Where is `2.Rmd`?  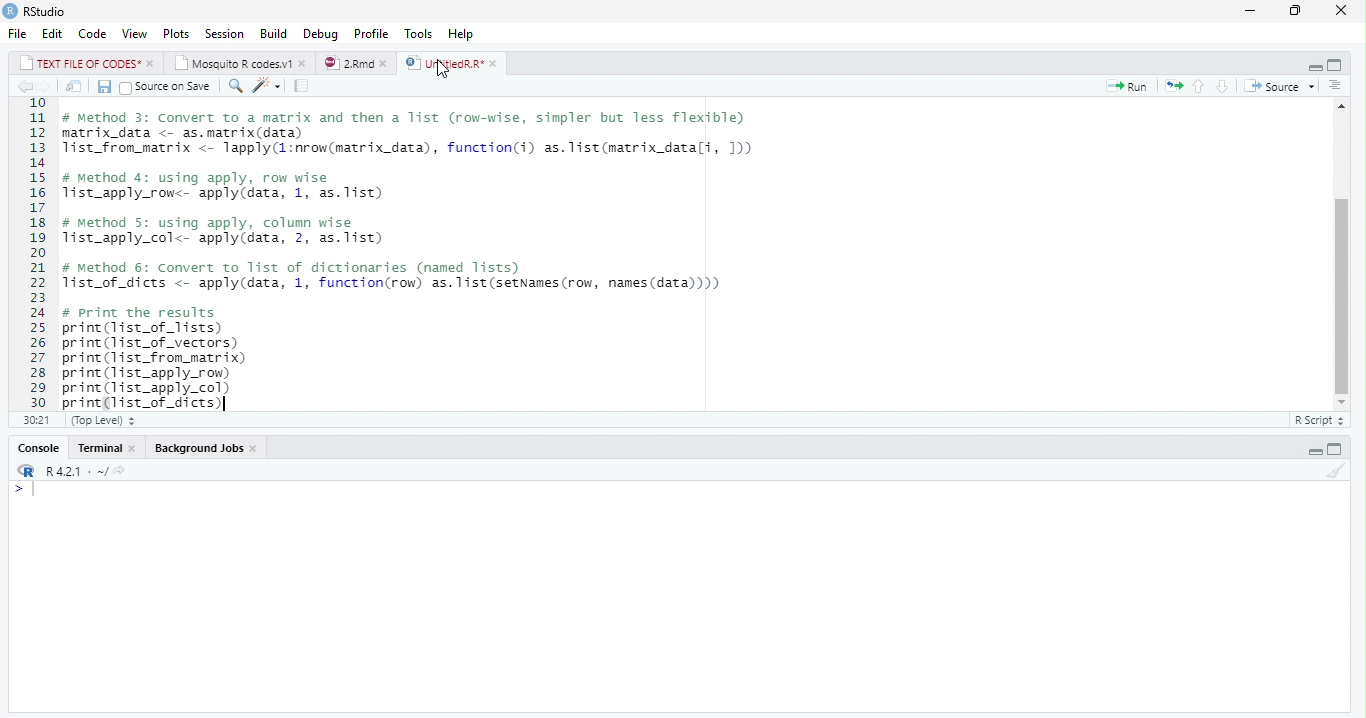
2.Rmd is located at coordinates (356, 64).